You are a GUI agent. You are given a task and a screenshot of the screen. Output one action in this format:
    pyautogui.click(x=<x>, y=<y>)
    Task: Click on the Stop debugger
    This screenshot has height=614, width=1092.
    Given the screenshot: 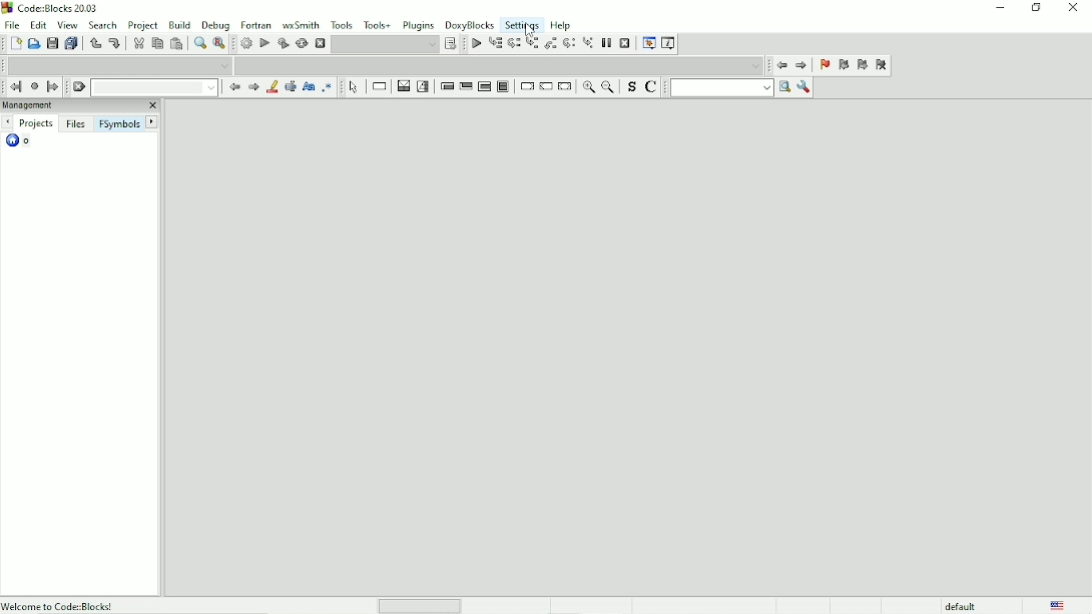 What is the action you would take?
    pyautogui.click(x=625, y=44)
    